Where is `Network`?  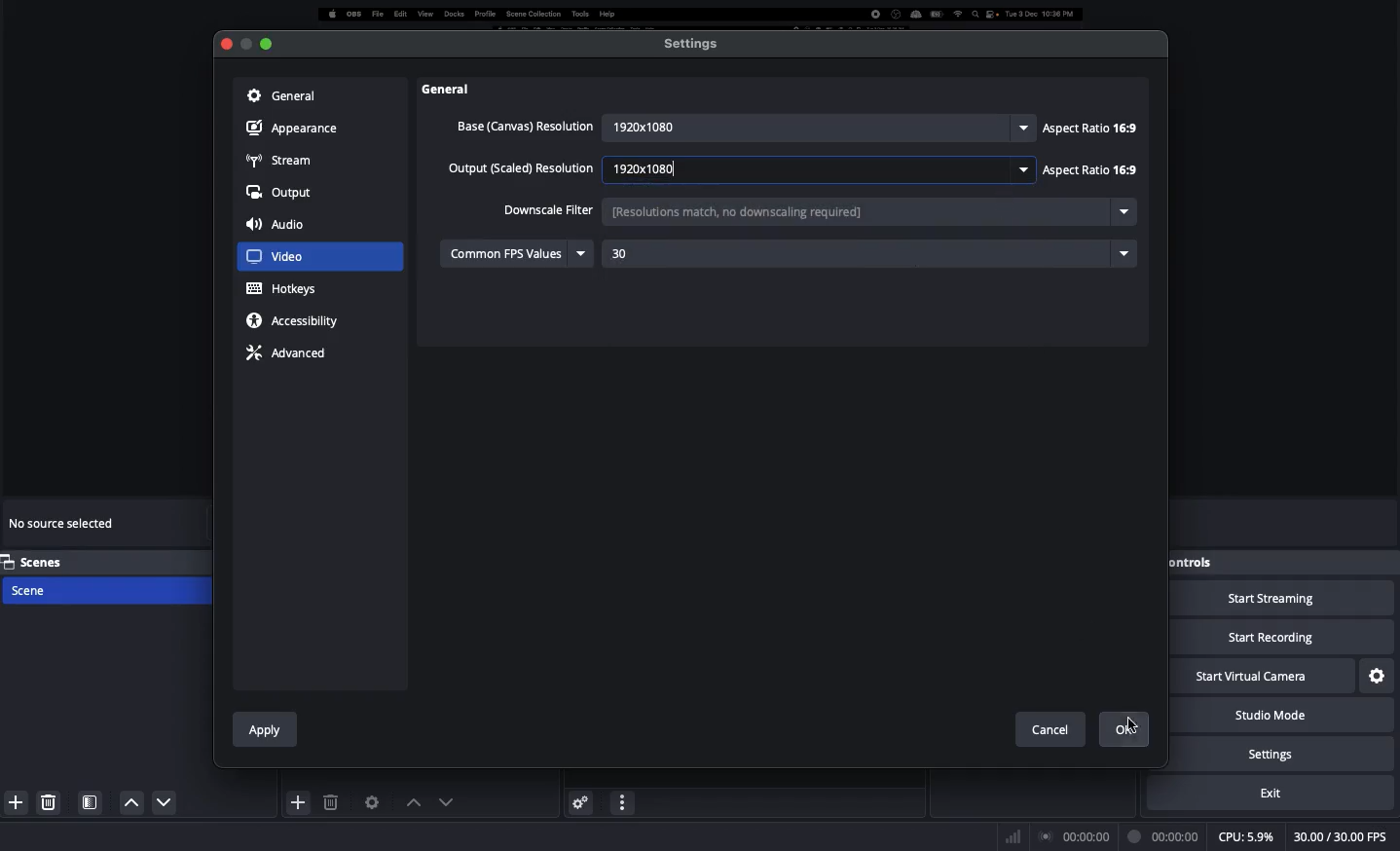
Network is located at coordinates (1007, 835).